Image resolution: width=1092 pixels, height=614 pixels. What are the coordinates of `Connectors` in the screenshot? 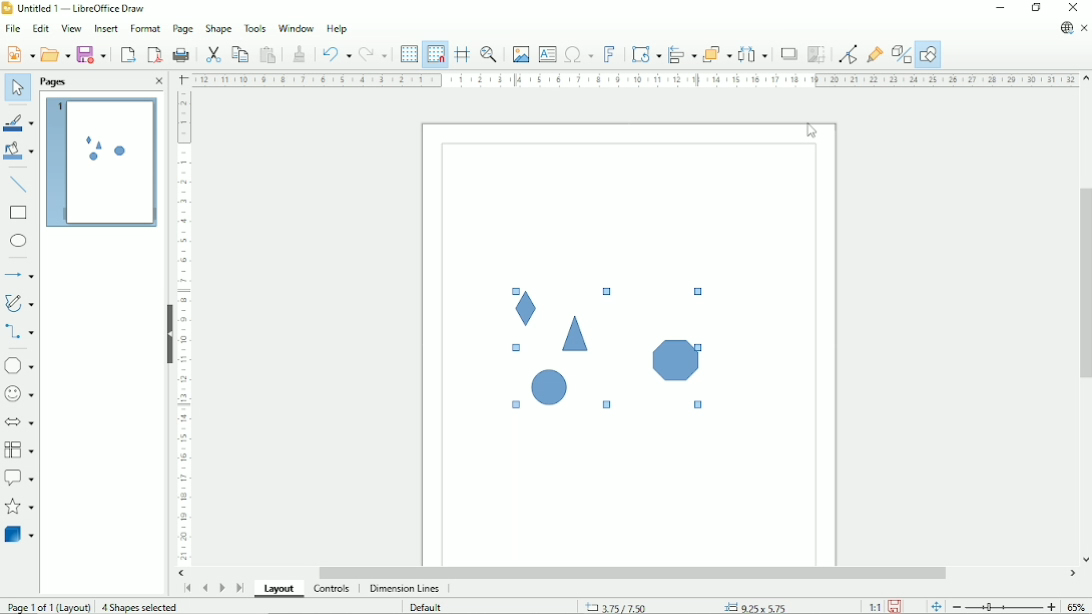 It's located at (20, 333).